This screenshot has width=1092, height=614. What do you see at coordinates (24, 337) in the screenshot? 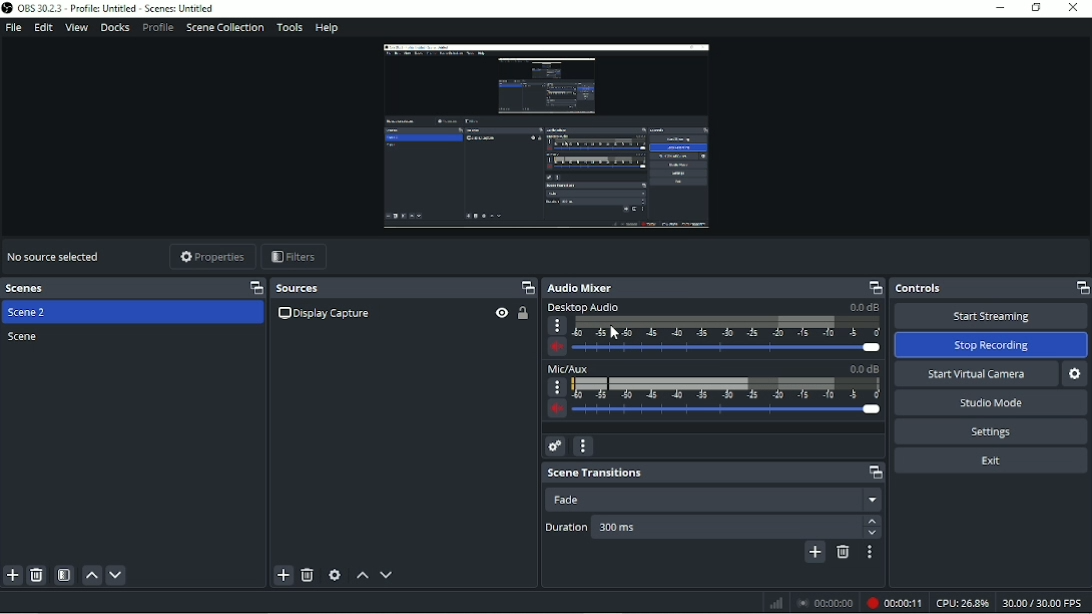
I see `Scene` at bounding box center [24, 337].